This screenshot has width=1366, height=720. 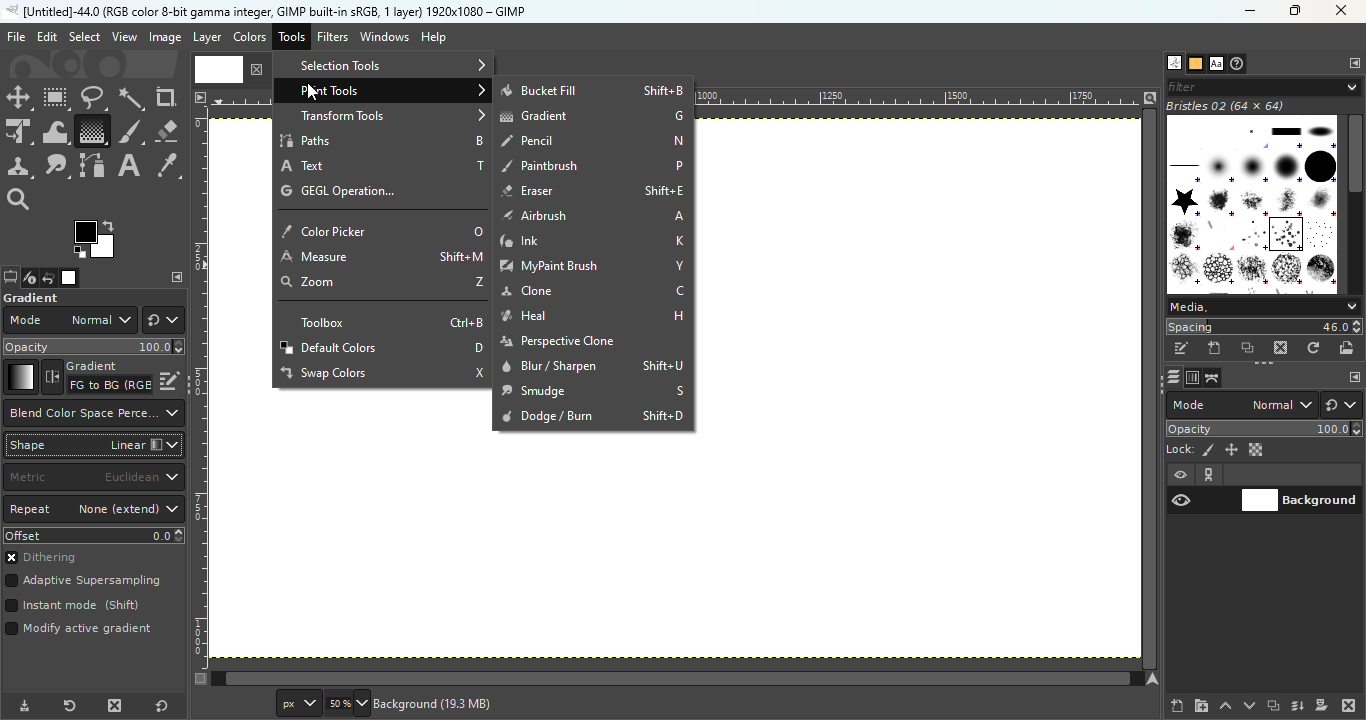 I want to click on Which color space to use when blending RGB gradient segments, so click(x=92, y=413).